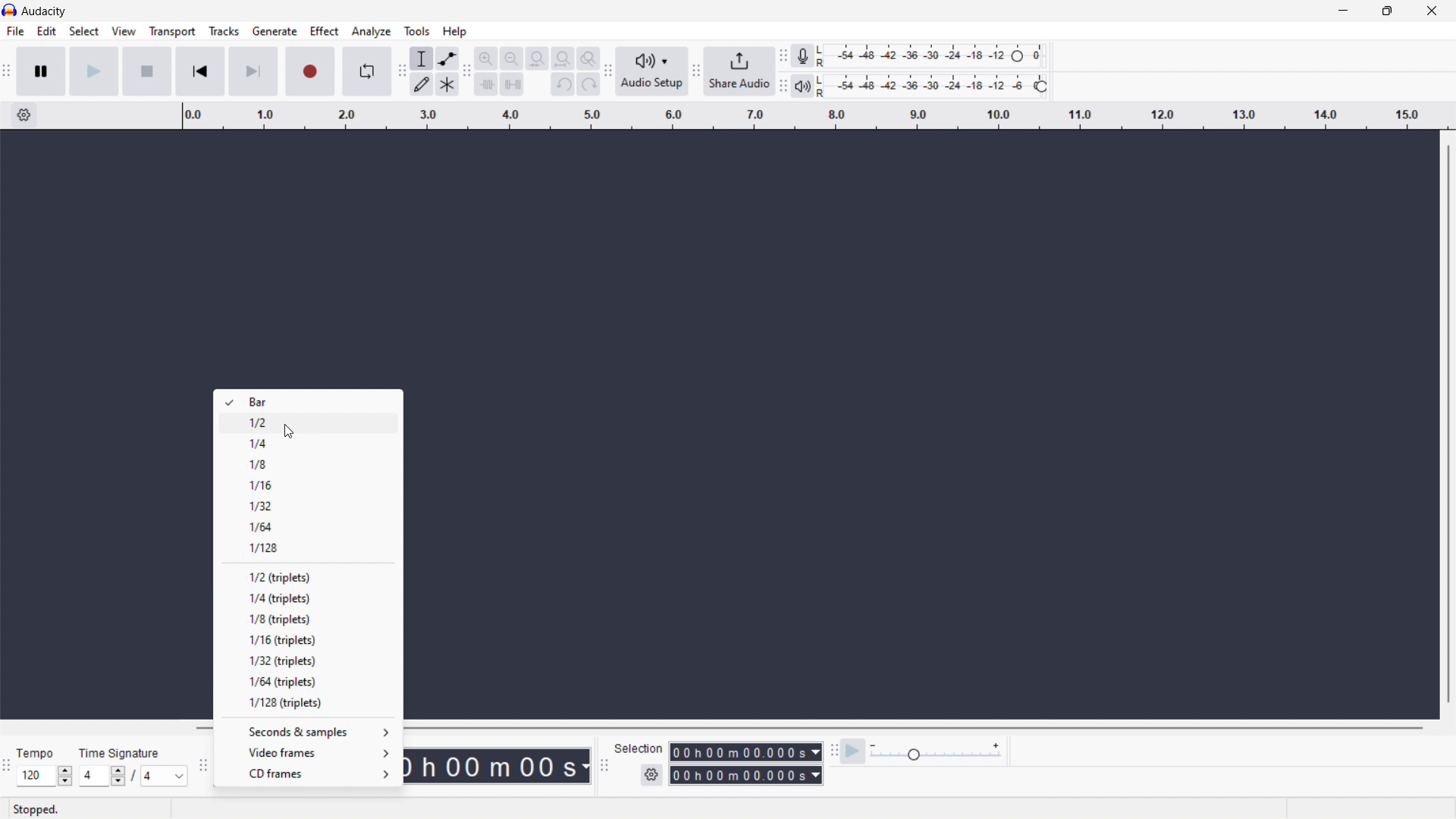 The width and height of the screenshot is (1456, 819). I want to click on skip to end, so click(253, 72).